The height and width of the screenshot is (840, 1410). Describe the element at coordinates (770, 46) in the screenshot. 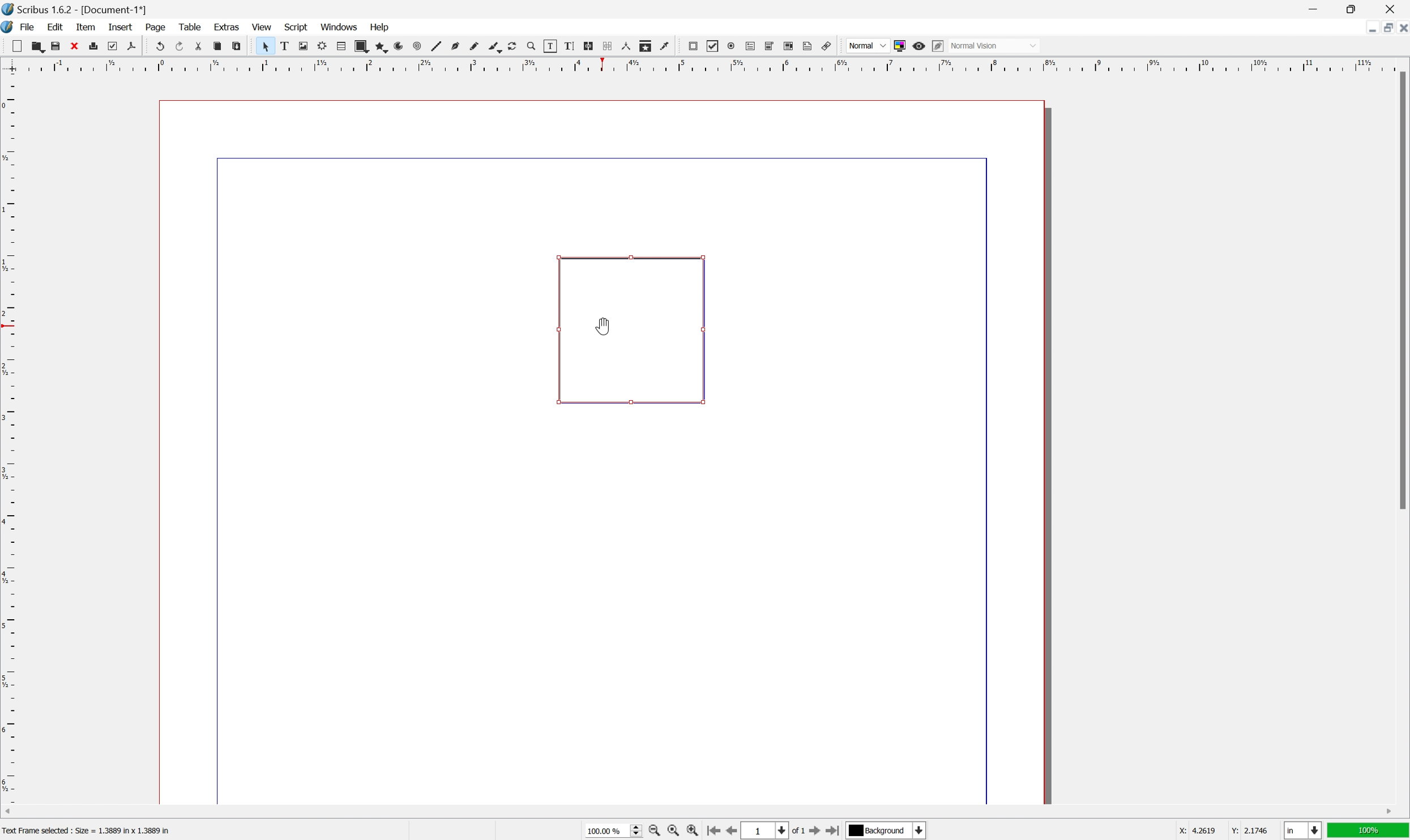

I see `pdf combo box` at that location.